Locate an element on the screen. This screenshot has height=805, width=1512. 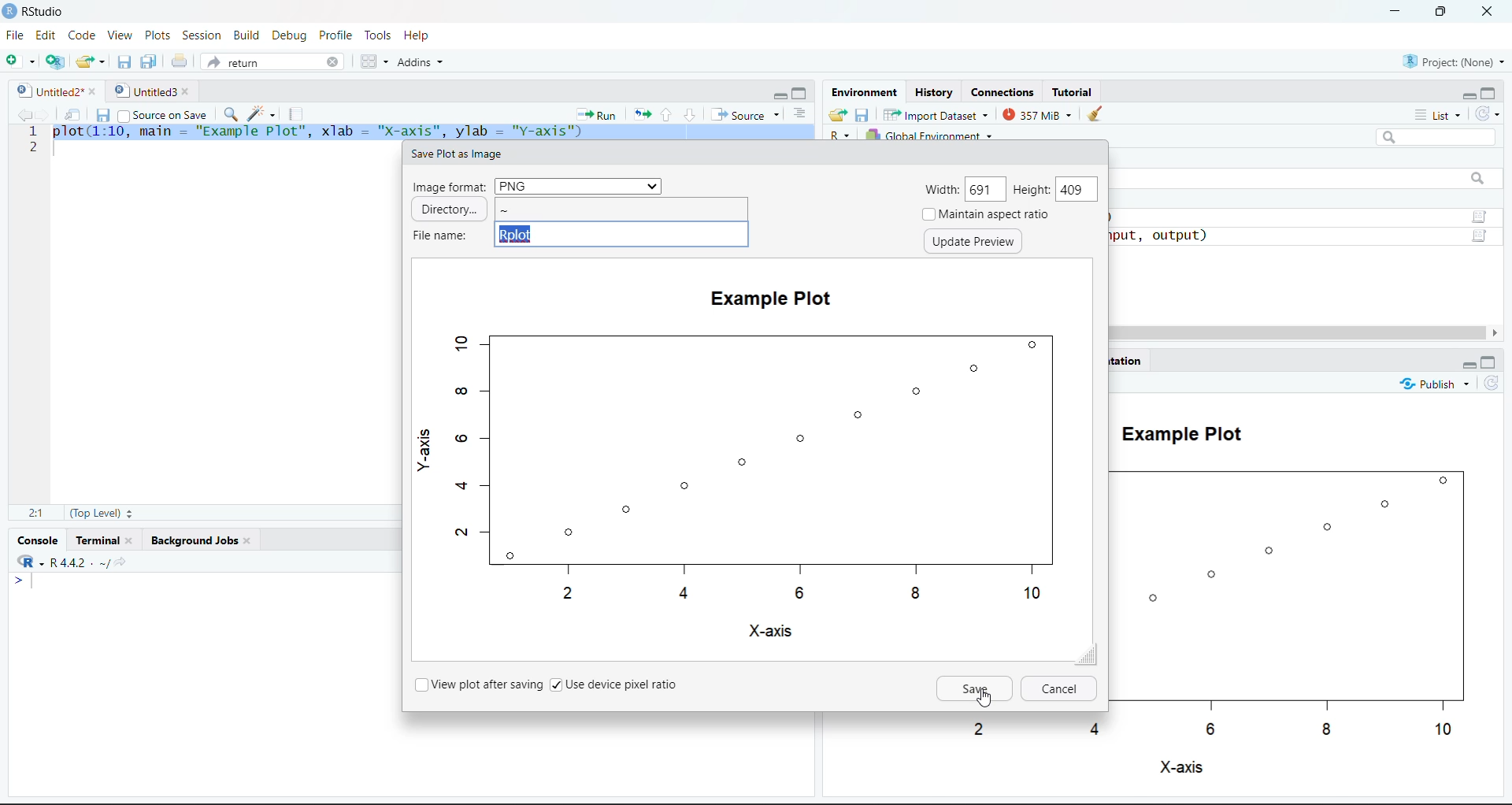
Minimize is located at coordinates (1467, 95).